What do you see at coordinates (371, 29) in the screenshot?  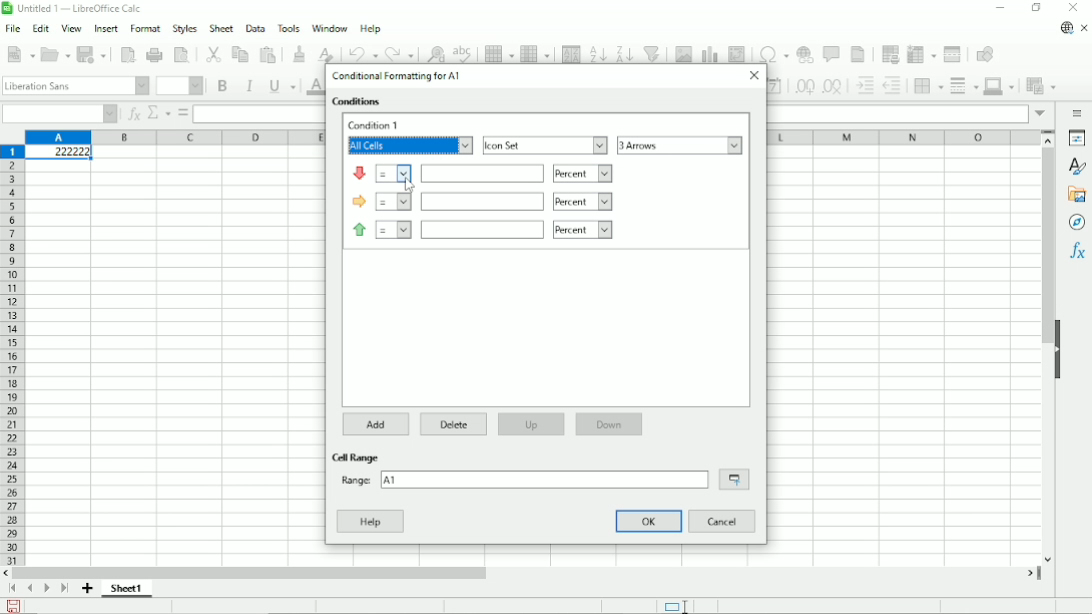 I see `Help` at bounding box center [371, 29].